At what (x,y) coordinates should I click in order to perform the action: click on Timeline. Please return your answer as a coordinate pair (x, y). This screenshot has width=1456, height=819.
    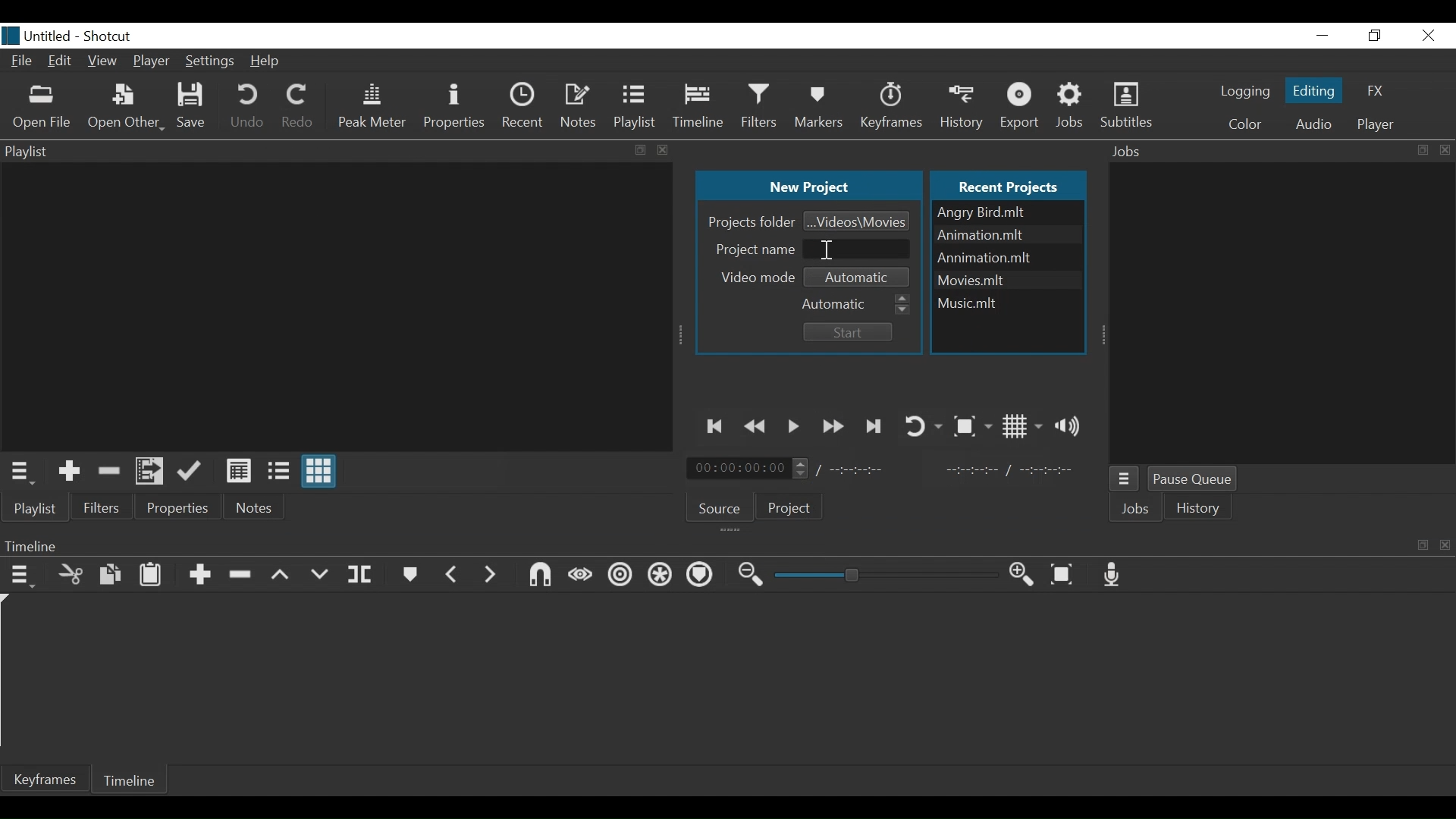
    Looking at the image, I should click on (700, 106).